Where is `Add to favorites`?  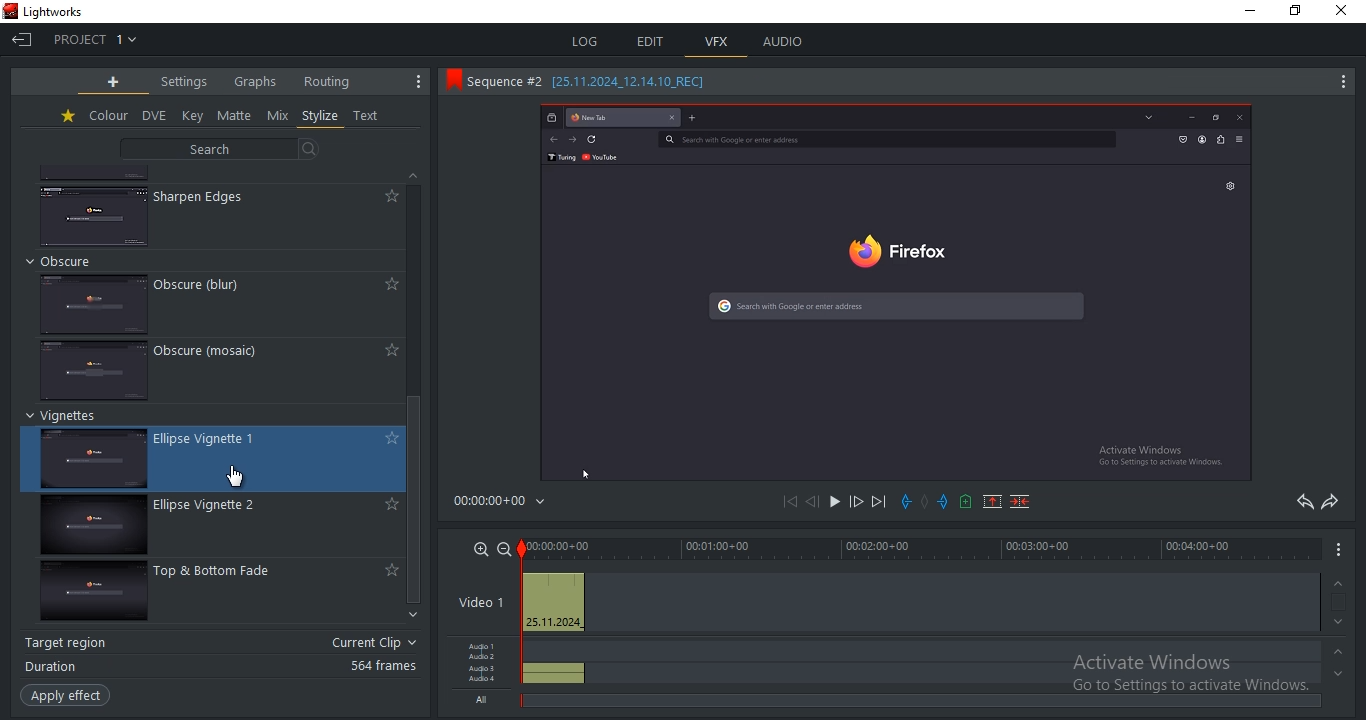
Add to favorites is located at coordinates (388, 196).